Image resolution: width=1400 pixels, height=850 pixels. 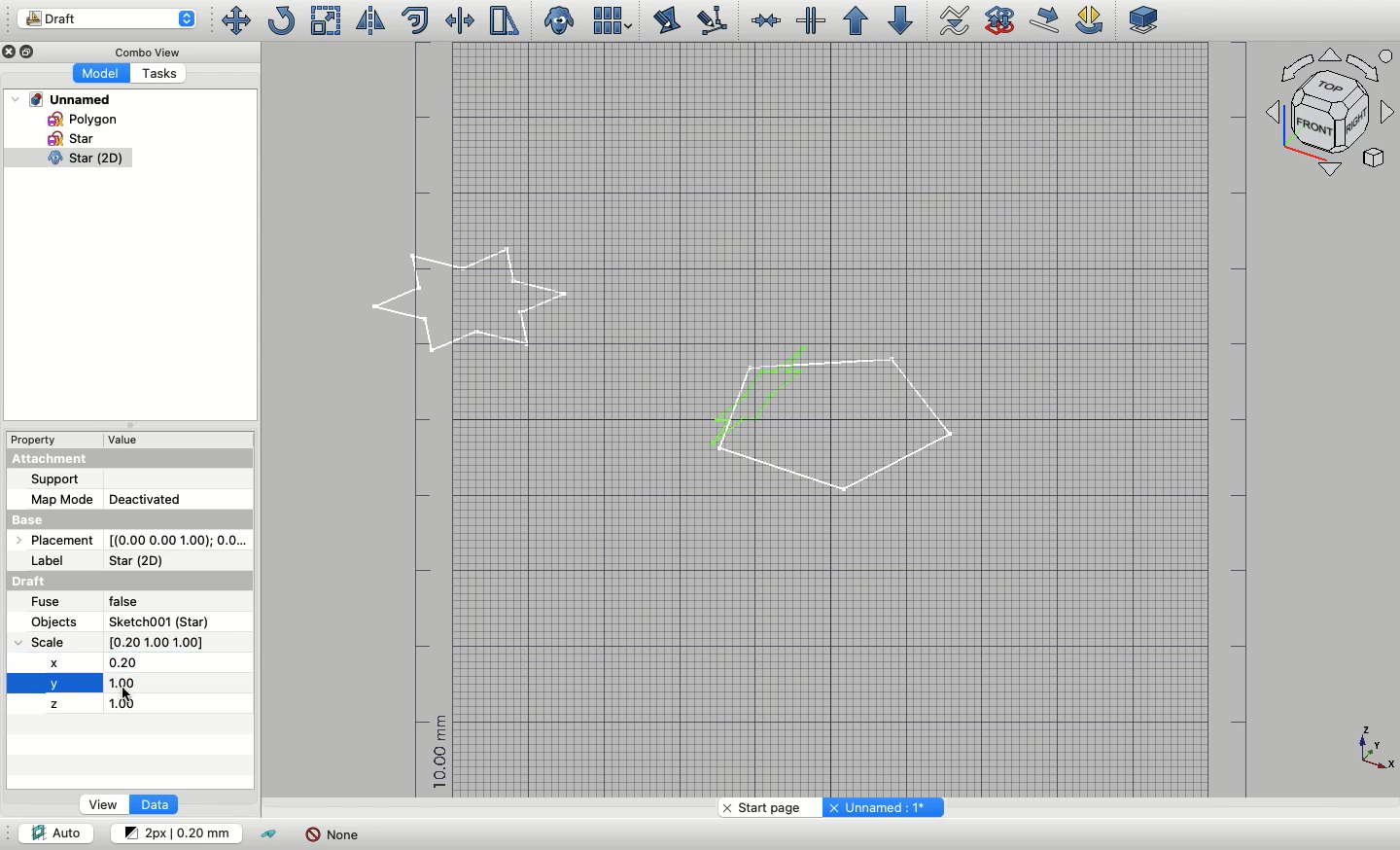 I want to click on Map mode, so click(x=61, y=500).